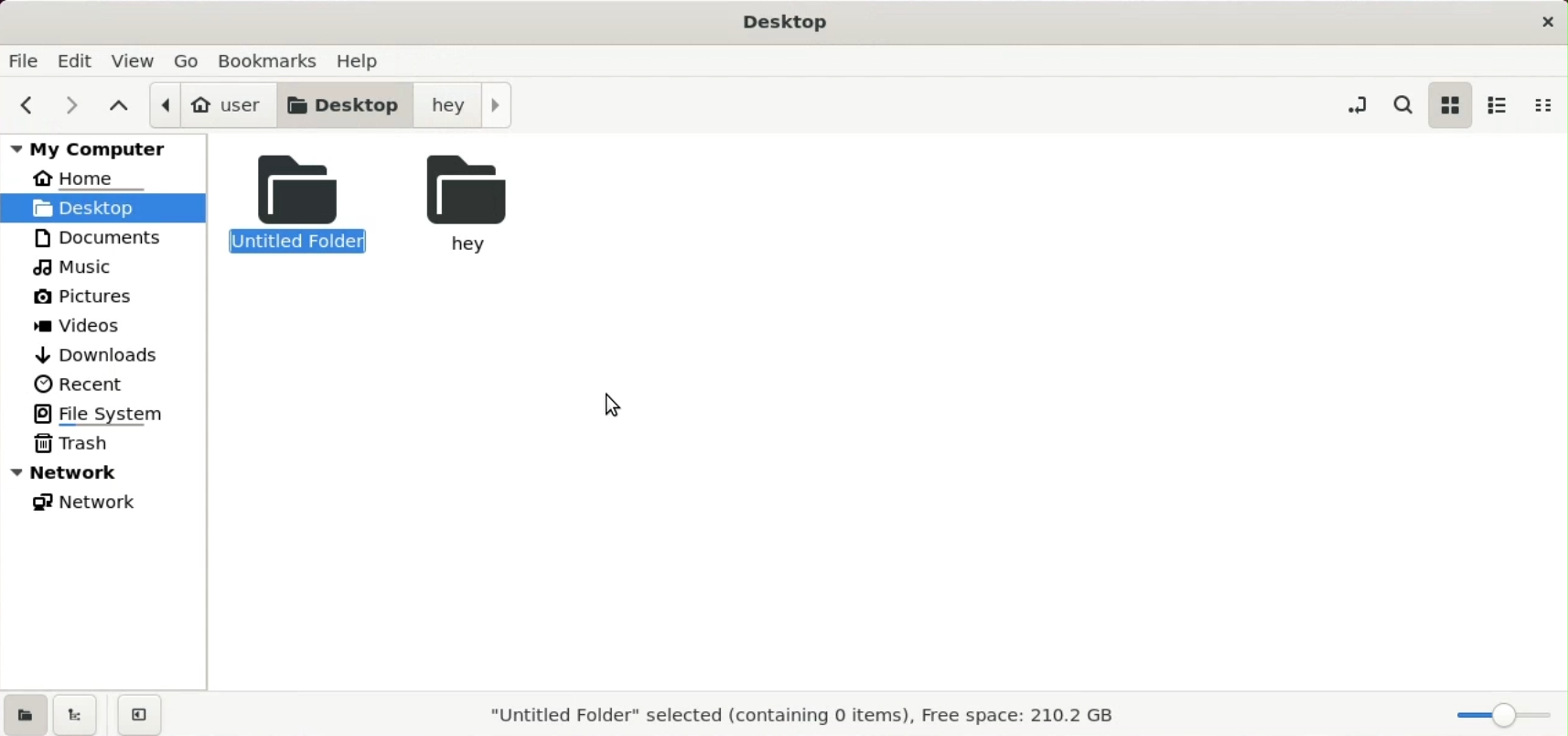 The height and width of the screenshot is (736, 1568). Describe the element at coordinates (1541, 104) in the screenshot. I see `compact view` at that location.